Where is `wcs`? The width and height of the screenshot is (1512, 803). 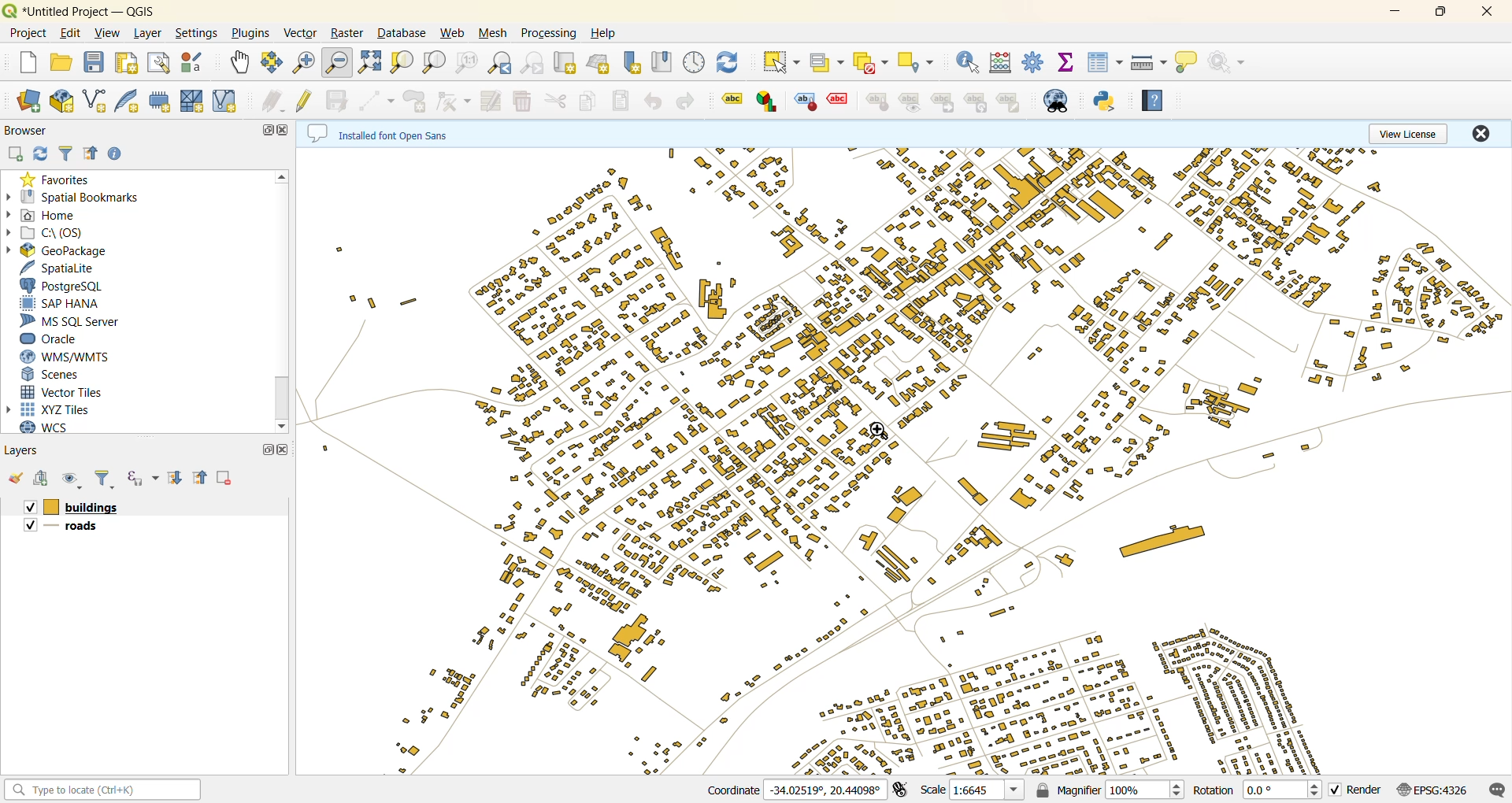
wcs is located at coordinates (45, 430).